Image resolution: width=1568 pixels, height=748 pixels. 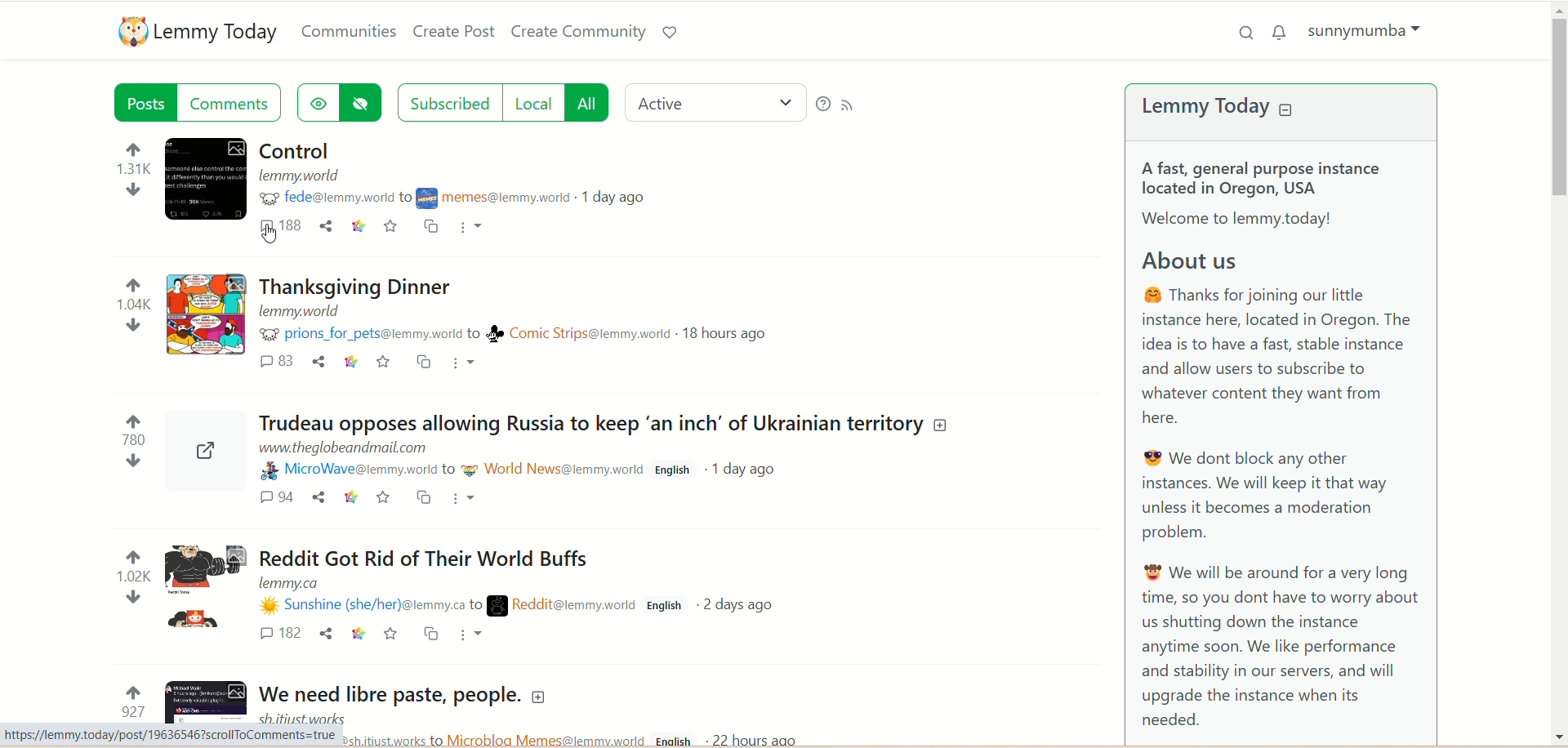 What do you see at coordinates (428, 501) in the screenshot?
I see `cross post` at bounding box center [428, 501].